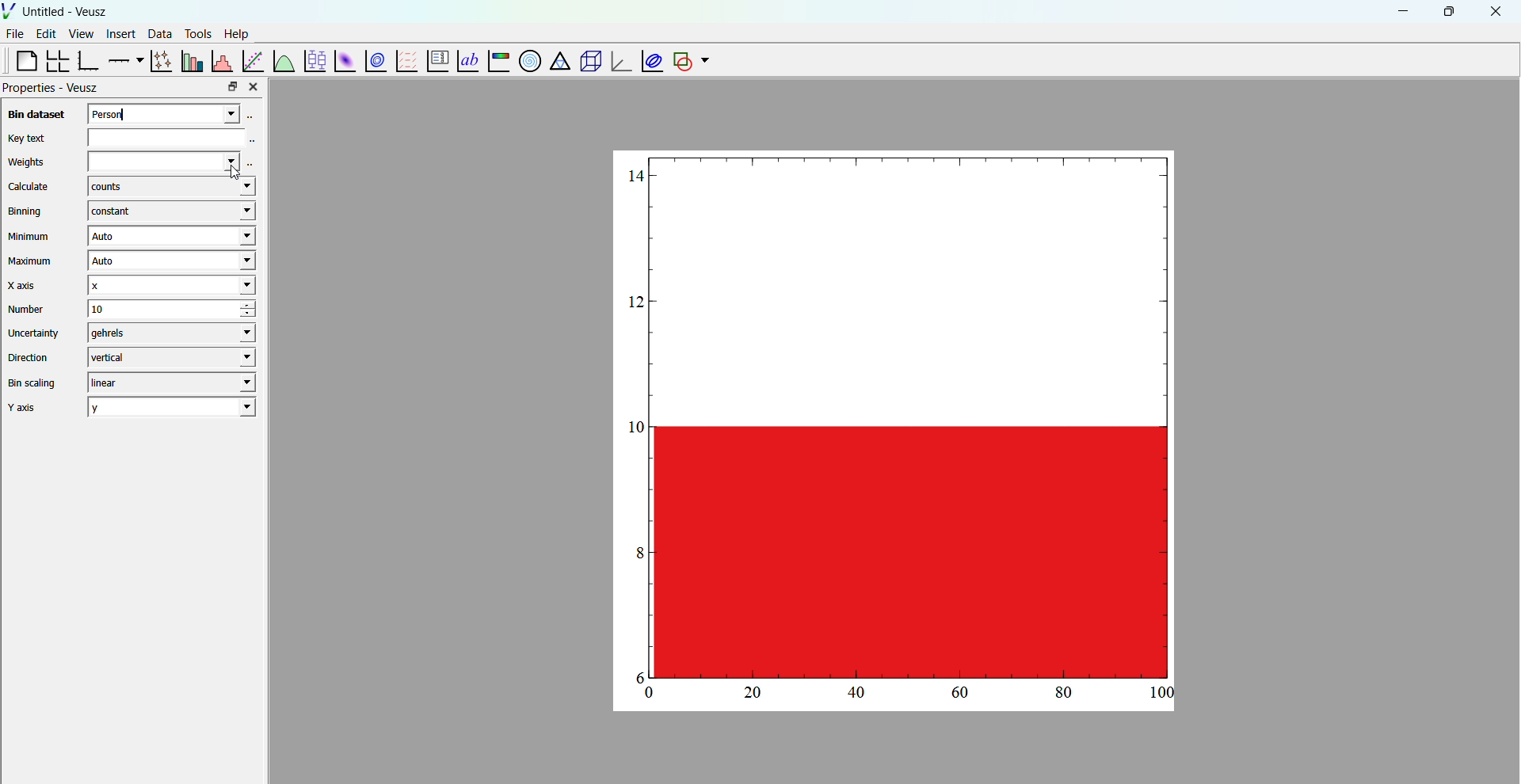  Describe the element at coordinates (26, 285) in the screenshot. I see `X axis` at that location.